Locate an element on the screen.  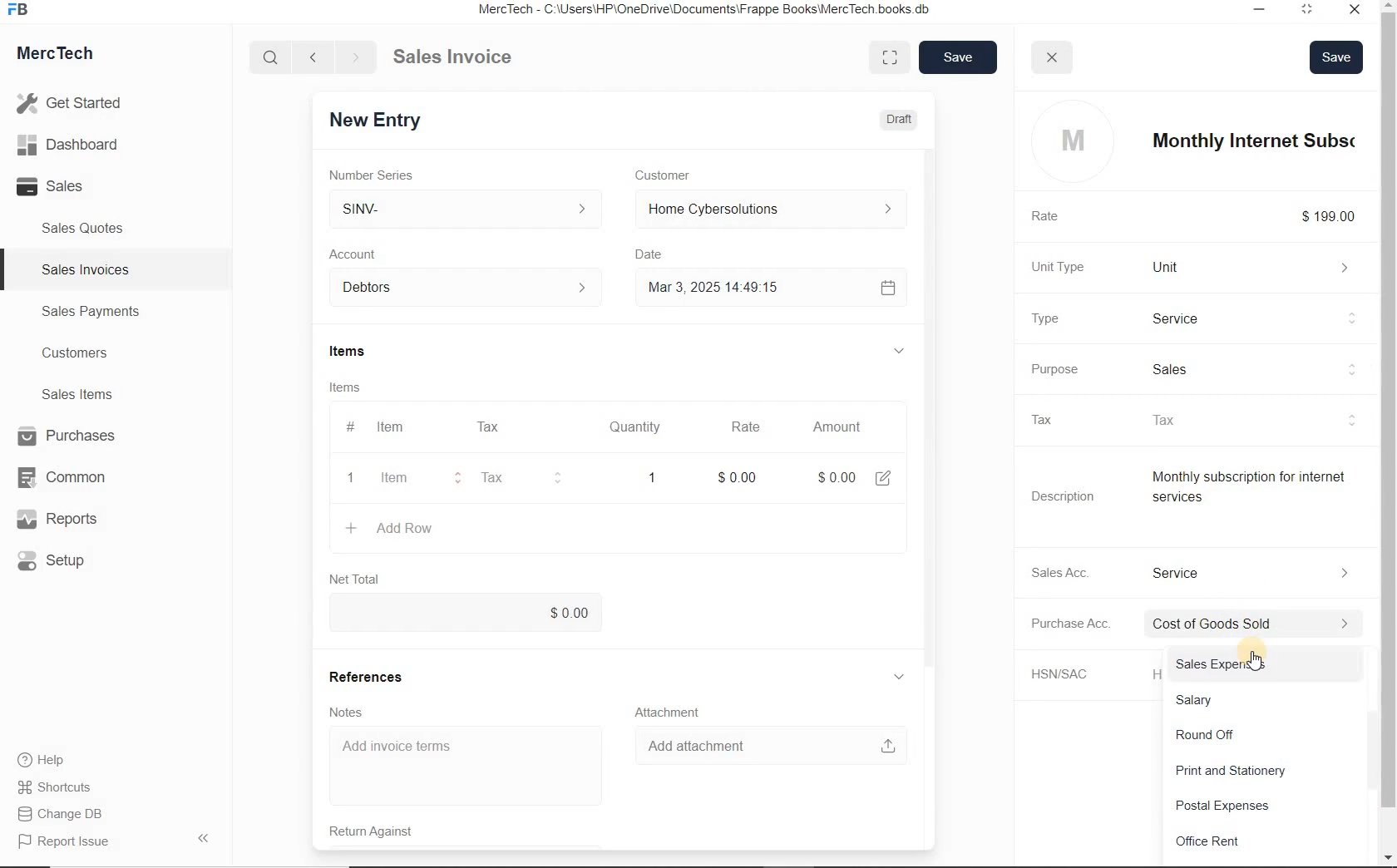
Purpose is located at coordinates (1067, 369).